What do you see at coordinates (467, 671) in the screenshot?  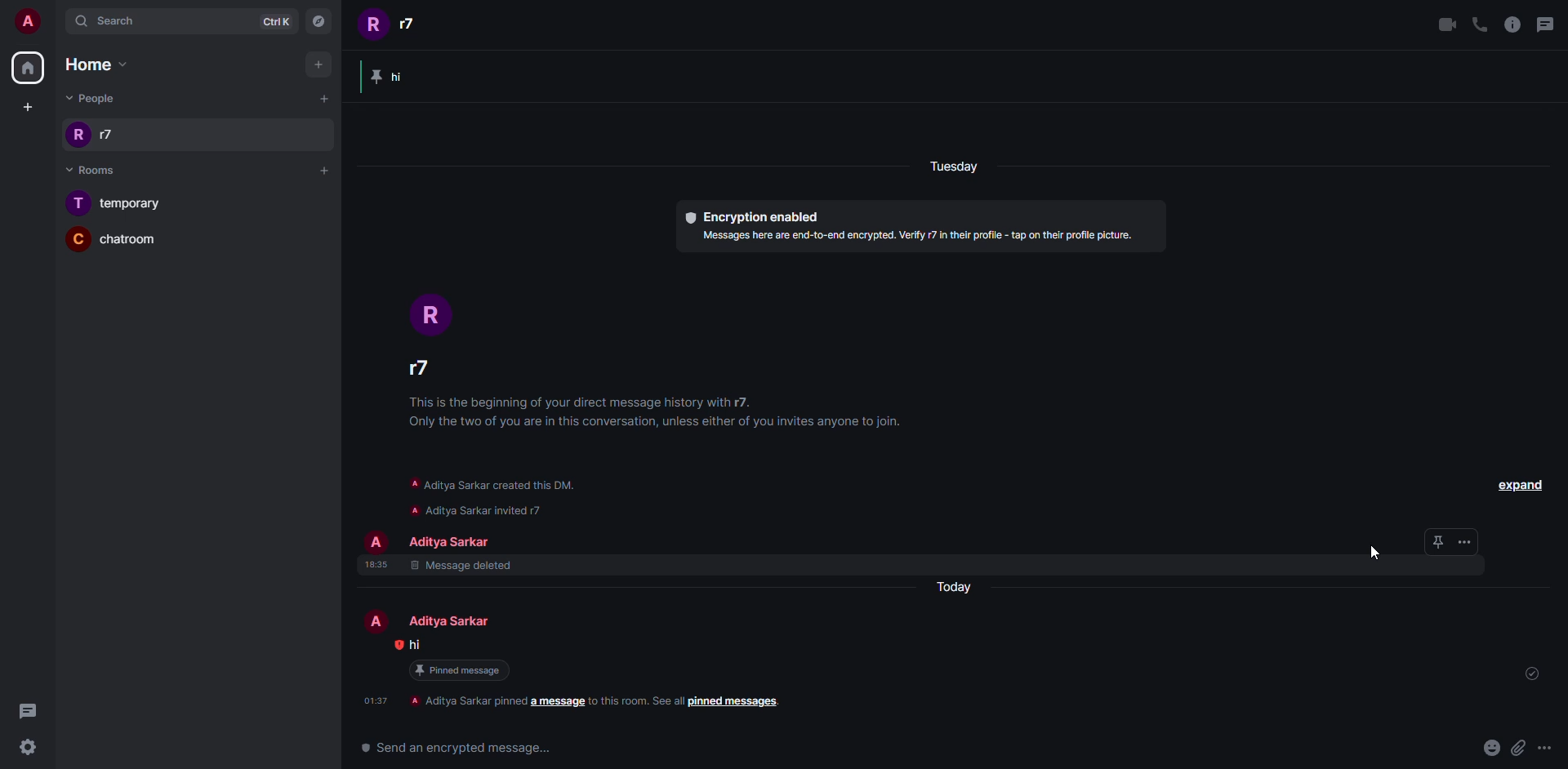 I see `pinned message` at bounding box center [467, 671].